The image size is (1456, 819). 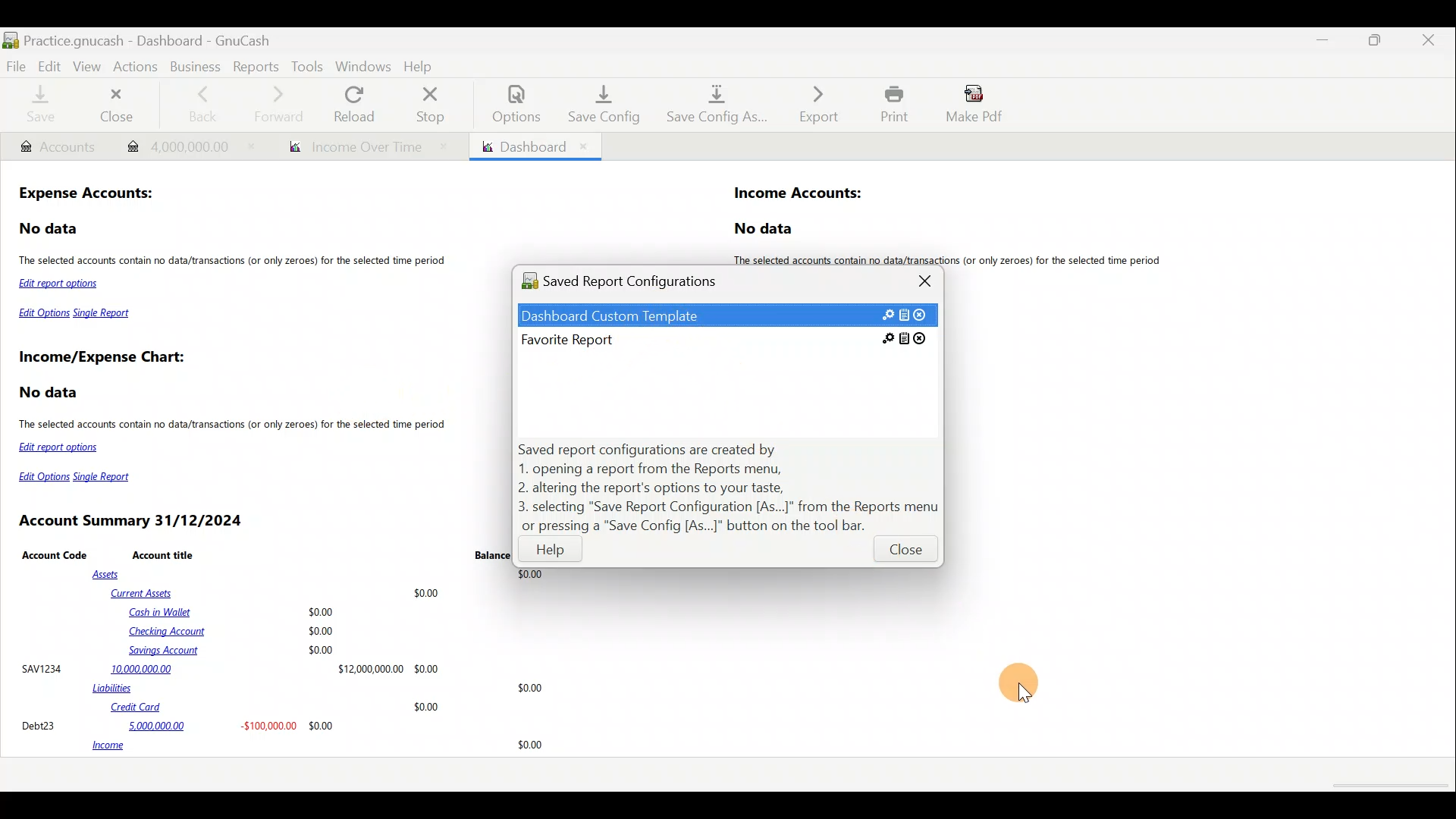 I want to click on The selected accounts contain no data/transactions (or only zeroes) for the selected time period, so click(x=234, y=426).